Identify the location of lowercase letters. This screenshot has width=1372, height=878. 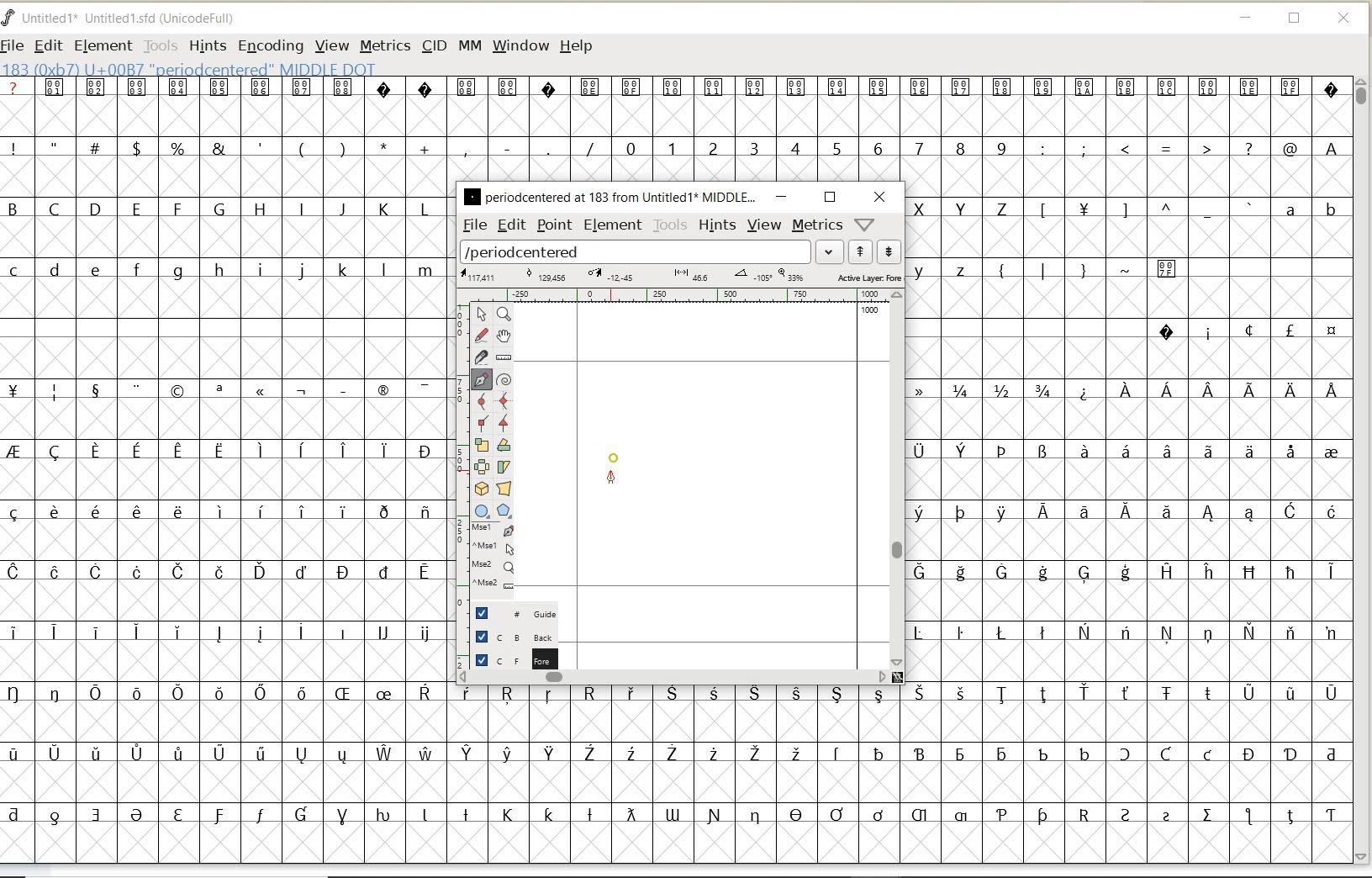
(950, 269).